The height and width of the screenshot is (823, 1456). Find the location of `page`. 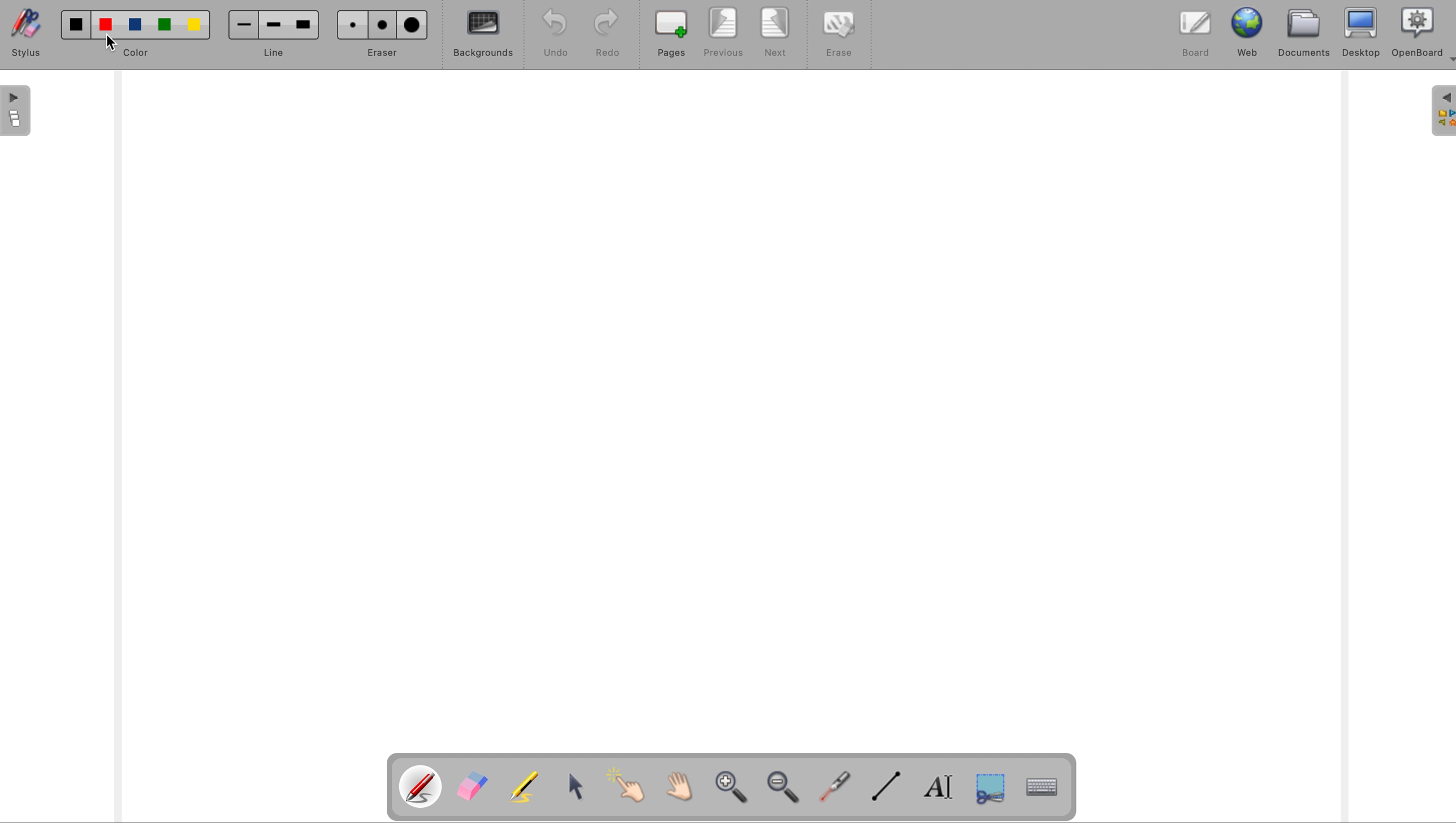

page is located at coordinates (15, 111).